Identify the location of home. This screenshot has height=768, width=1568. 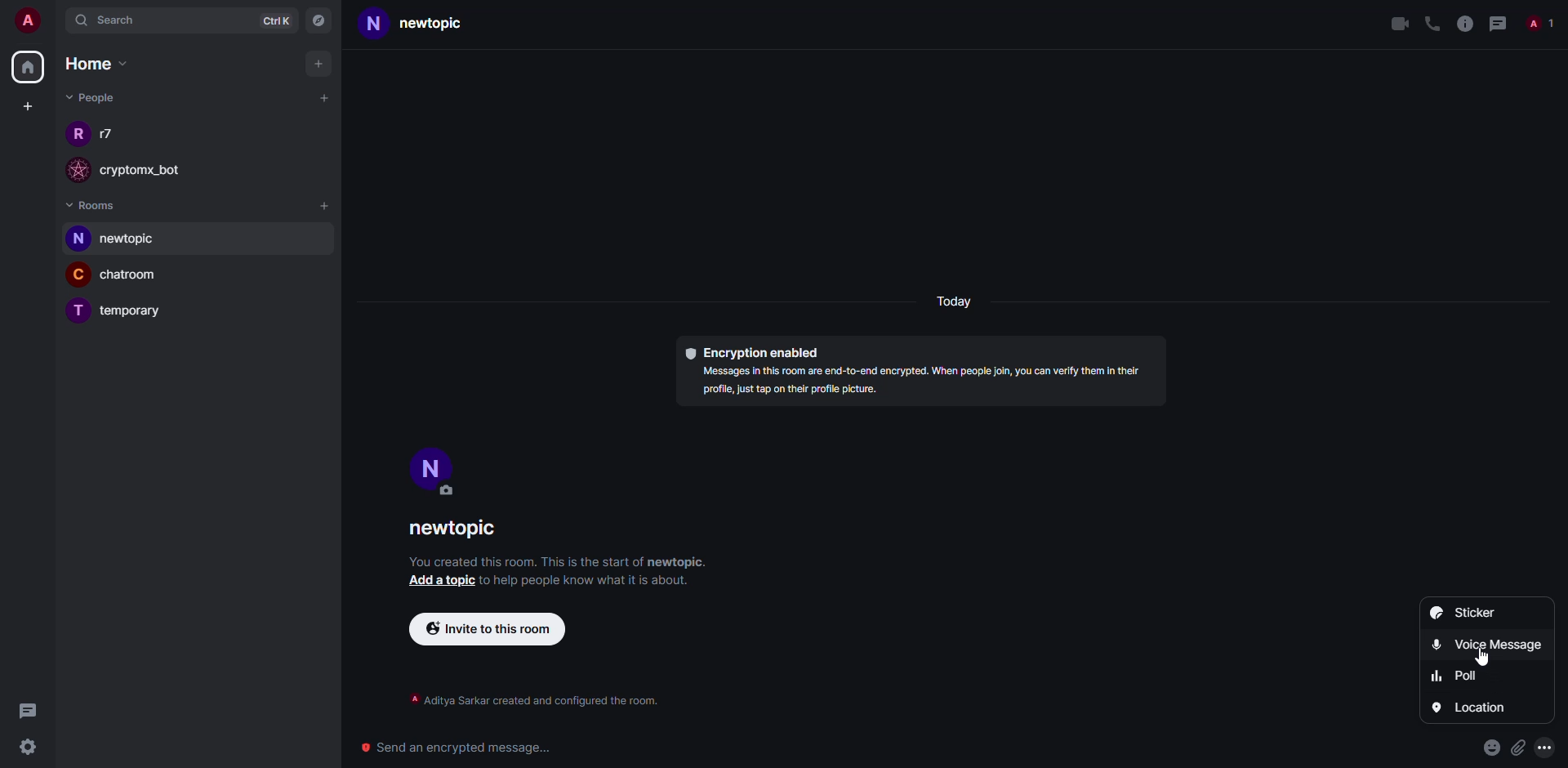
(101, 63).